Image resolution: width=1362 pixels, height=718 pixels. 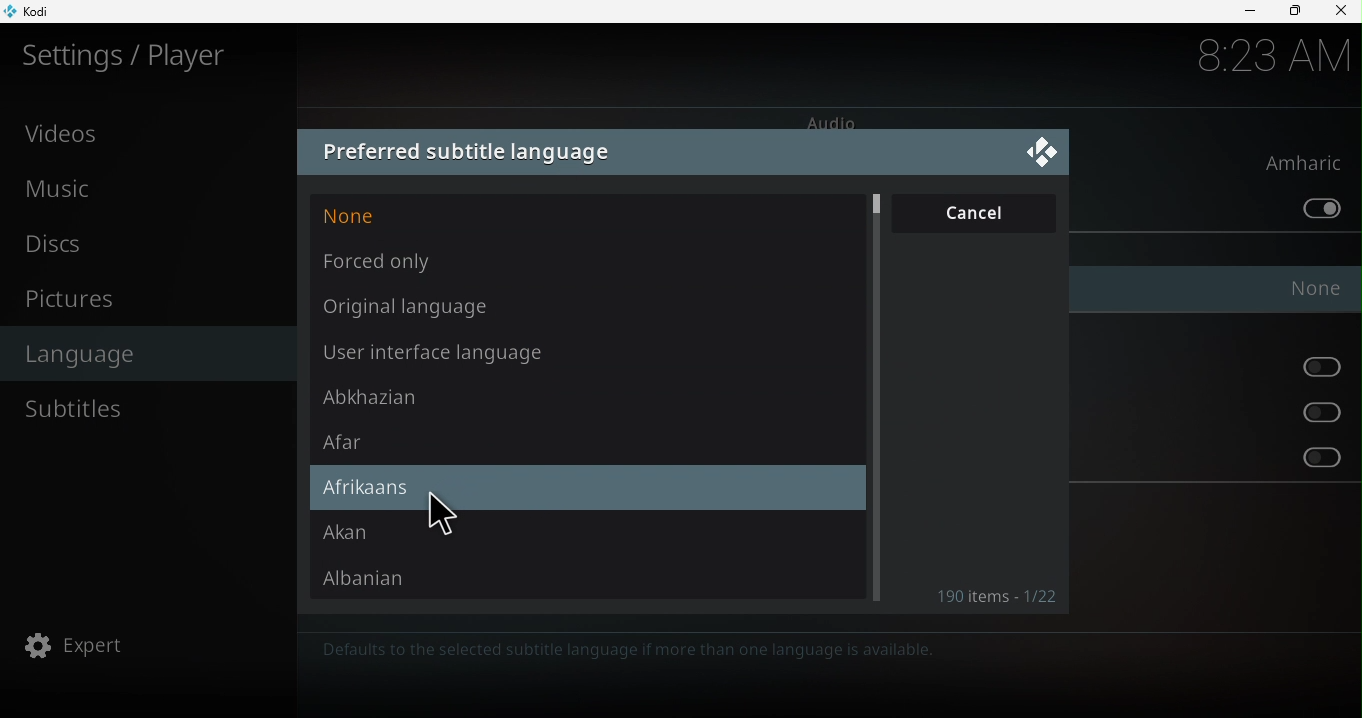 What do you see at coordinates (151, 352) in the screenshot?
I see `Language` at bounding box center [151, 352].